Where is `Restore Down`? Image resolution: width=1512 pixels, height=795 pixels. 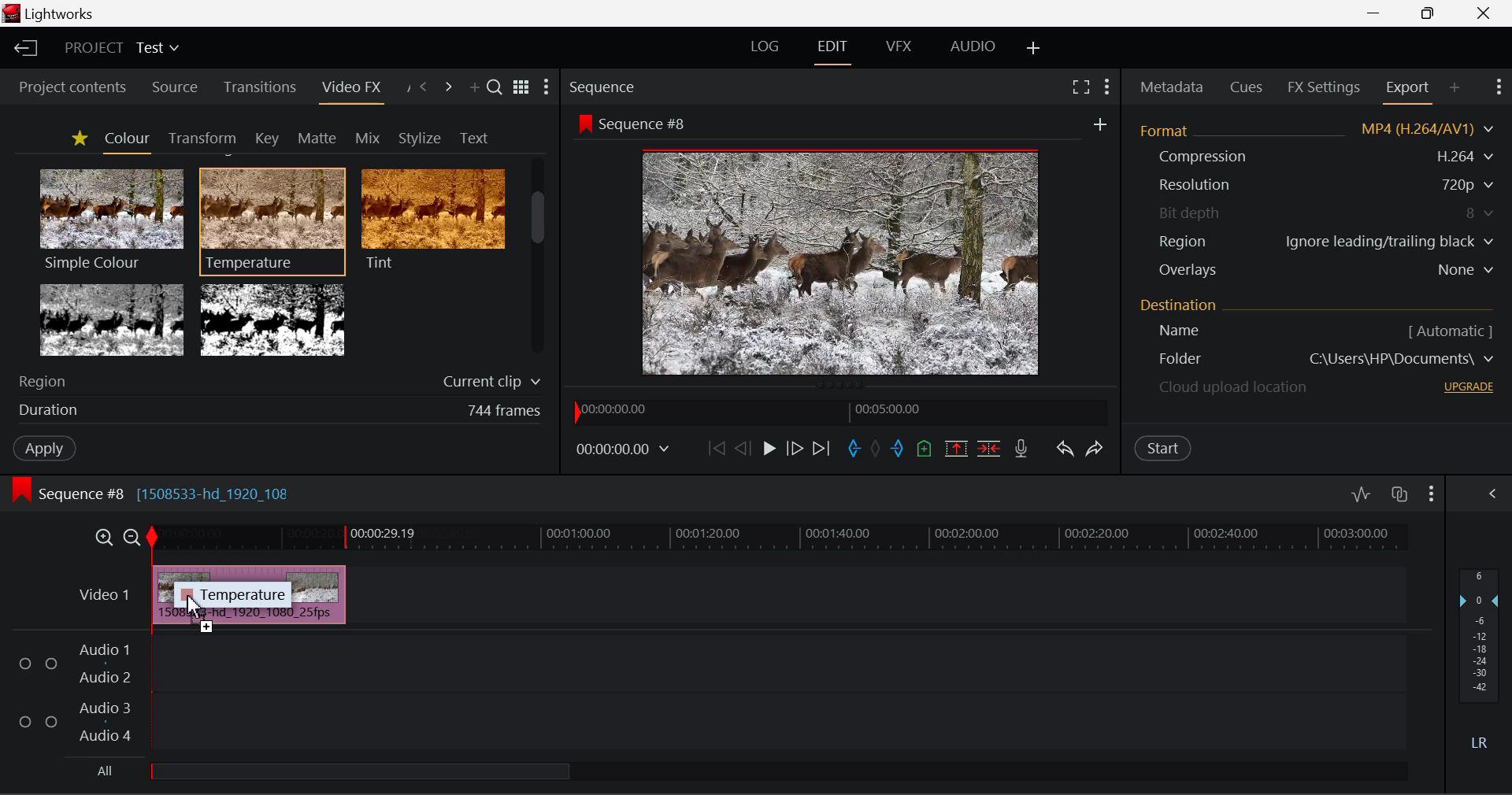 Restore Down is located at coordinates (1374, 12).